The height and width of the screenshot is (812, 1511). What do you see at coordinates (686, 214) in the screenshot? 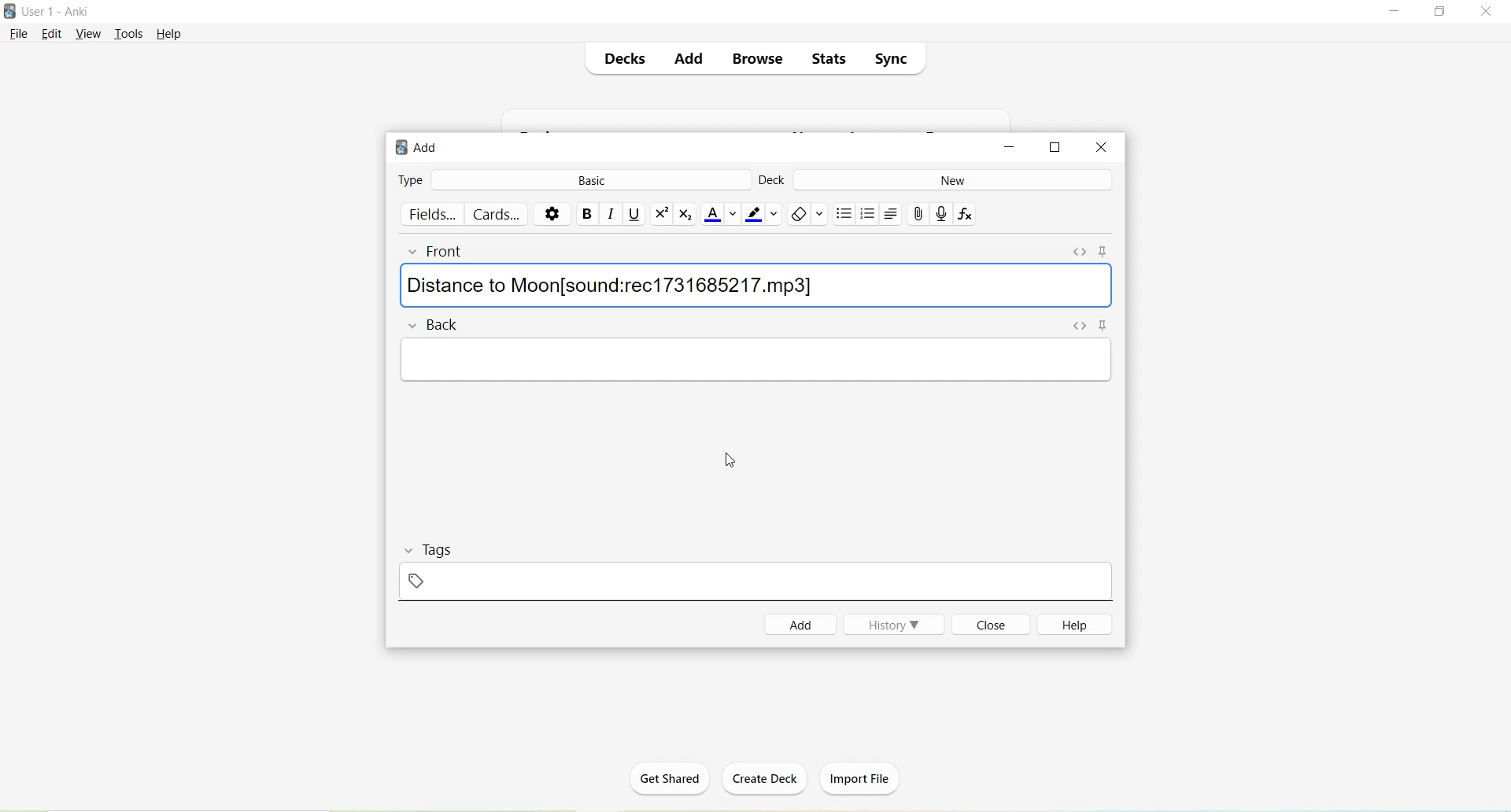
I see `Subscript` at bounding box center [686, 214].